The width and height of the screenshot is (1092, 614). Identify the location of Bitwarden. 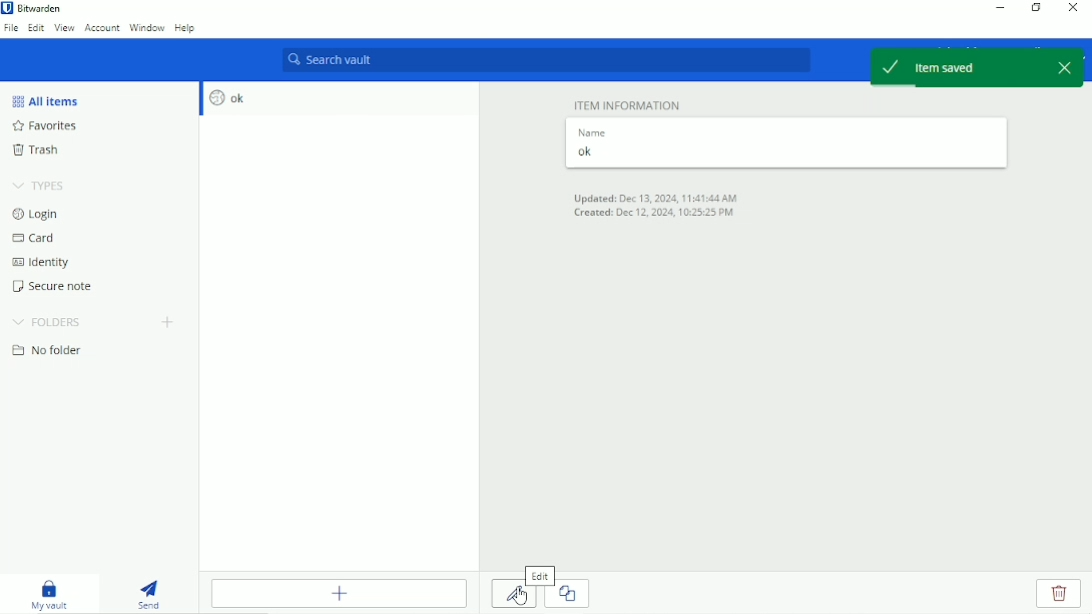
(40, 8).